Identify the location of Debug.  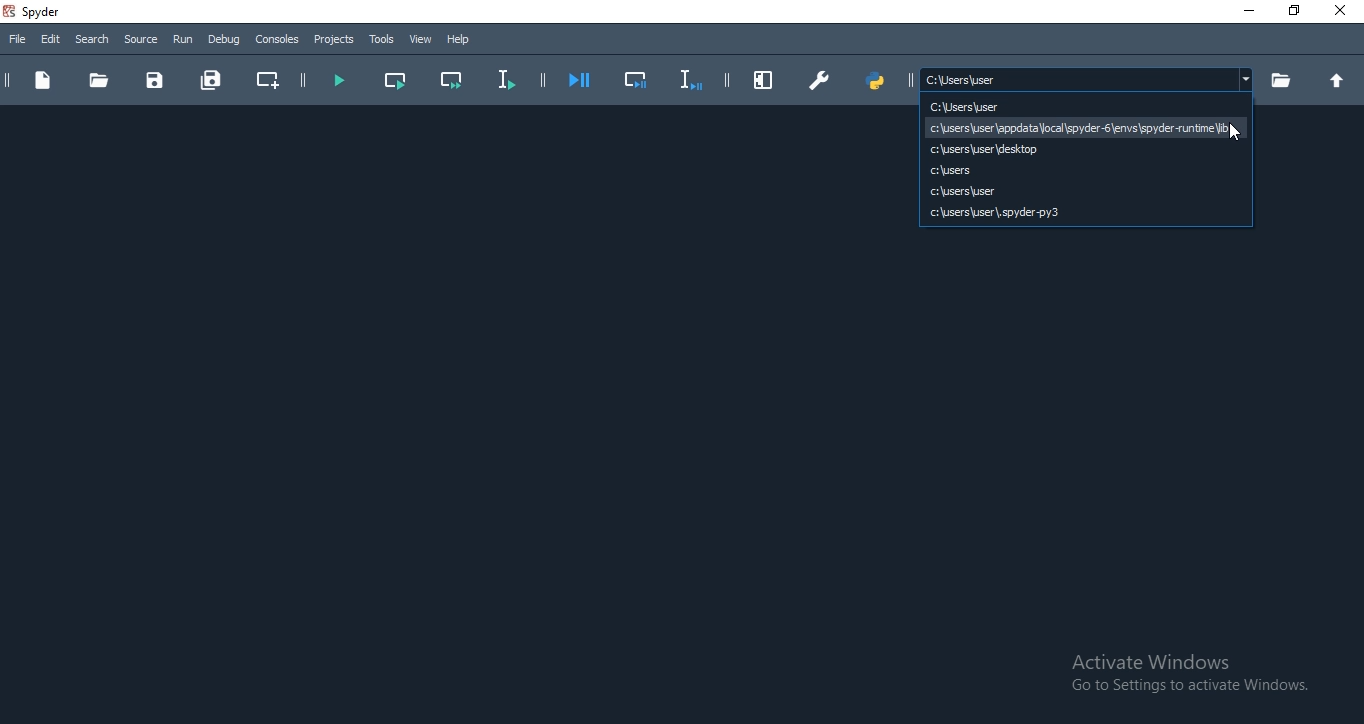
(224, 40).